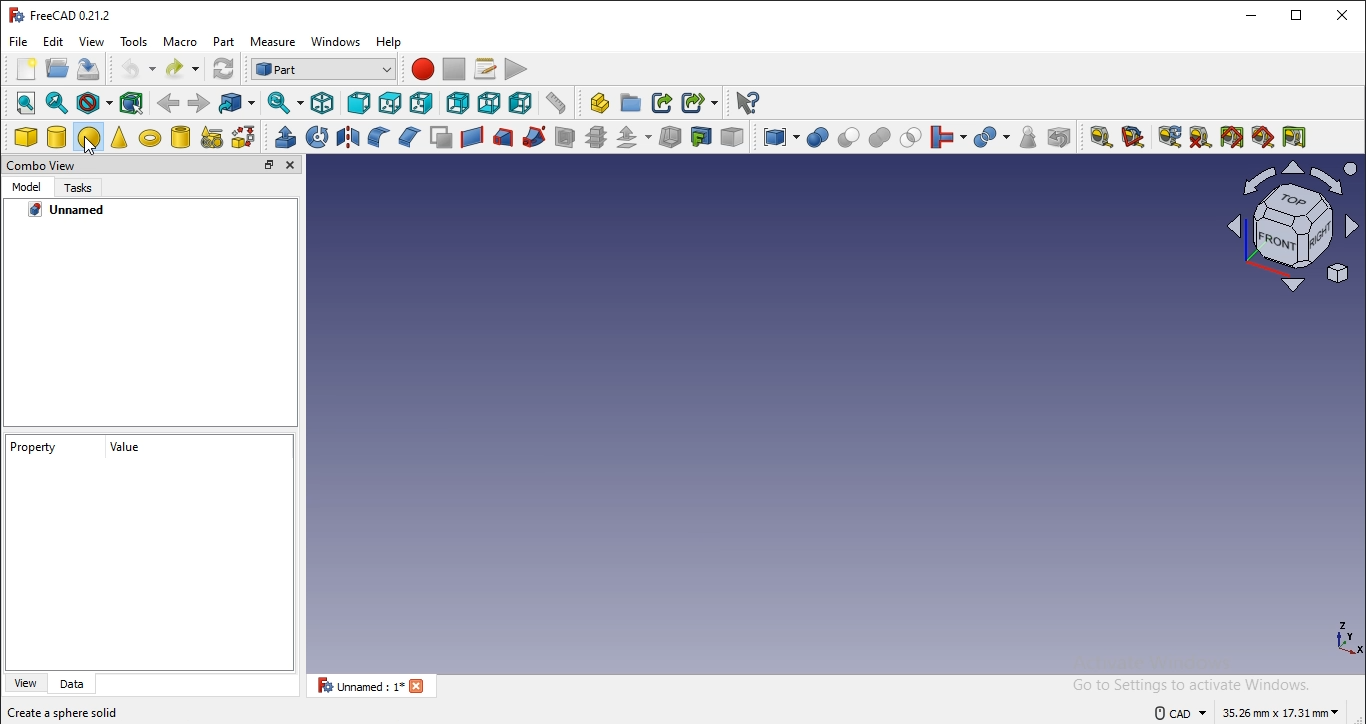 The image size is (1366, 724). Describe the element at coordinates (594, 137) in the screenshot. I see `cross section` at that location.